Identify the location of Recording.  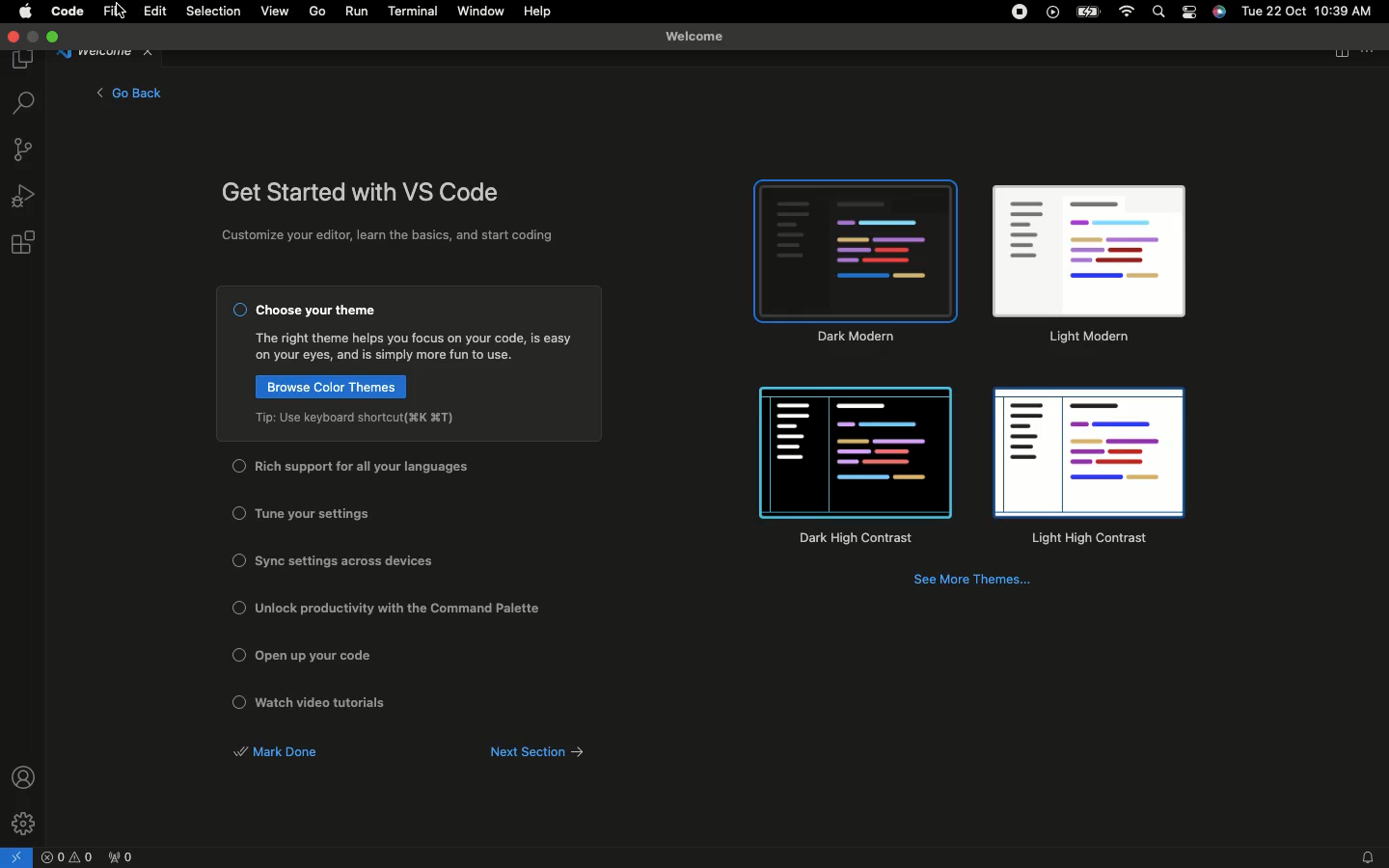
(1019, 14).